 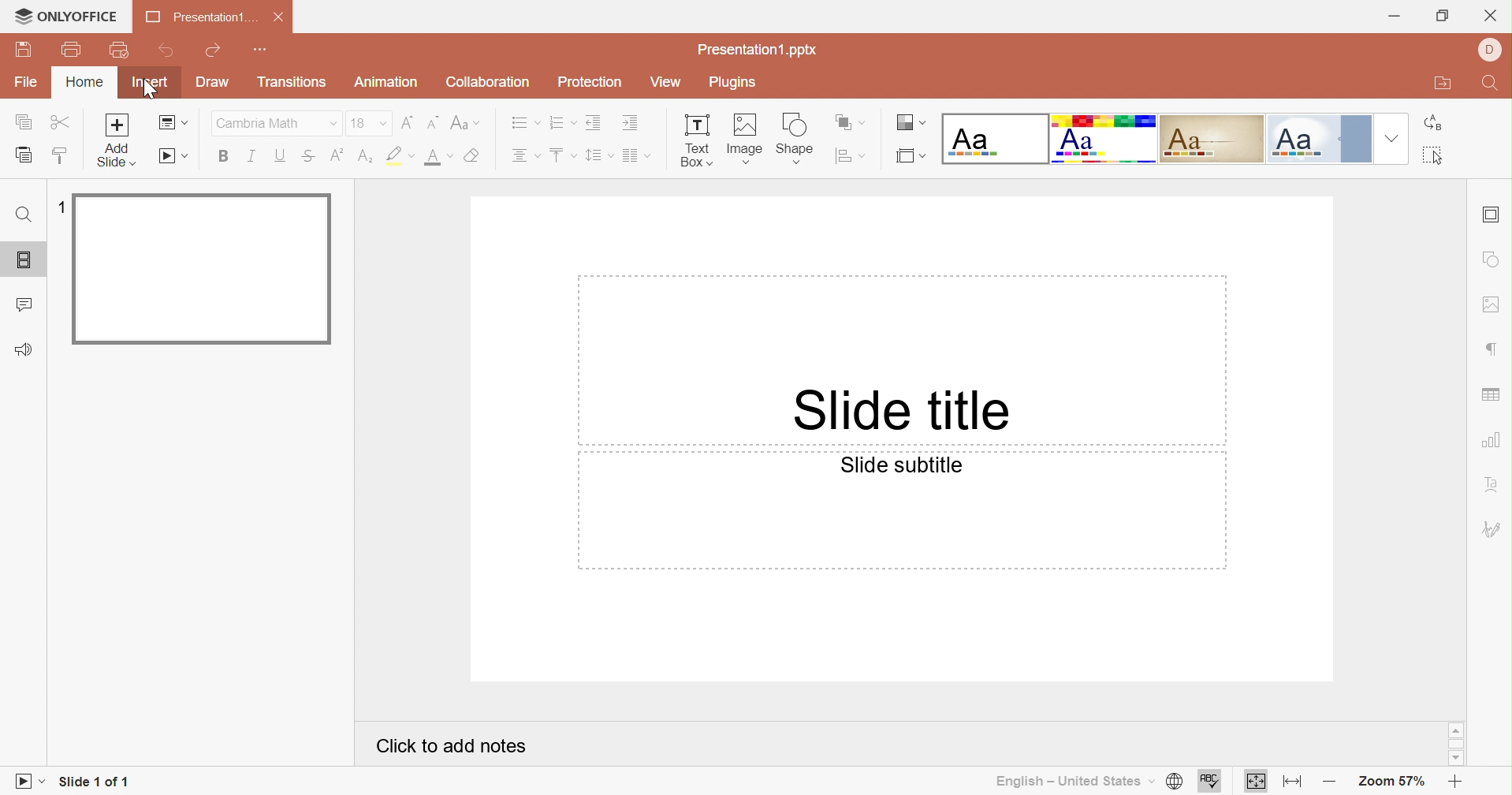 What do you see at coordinates (20, 123) in the screenshot?
I see `Copy` at bounding box center [20, 123].